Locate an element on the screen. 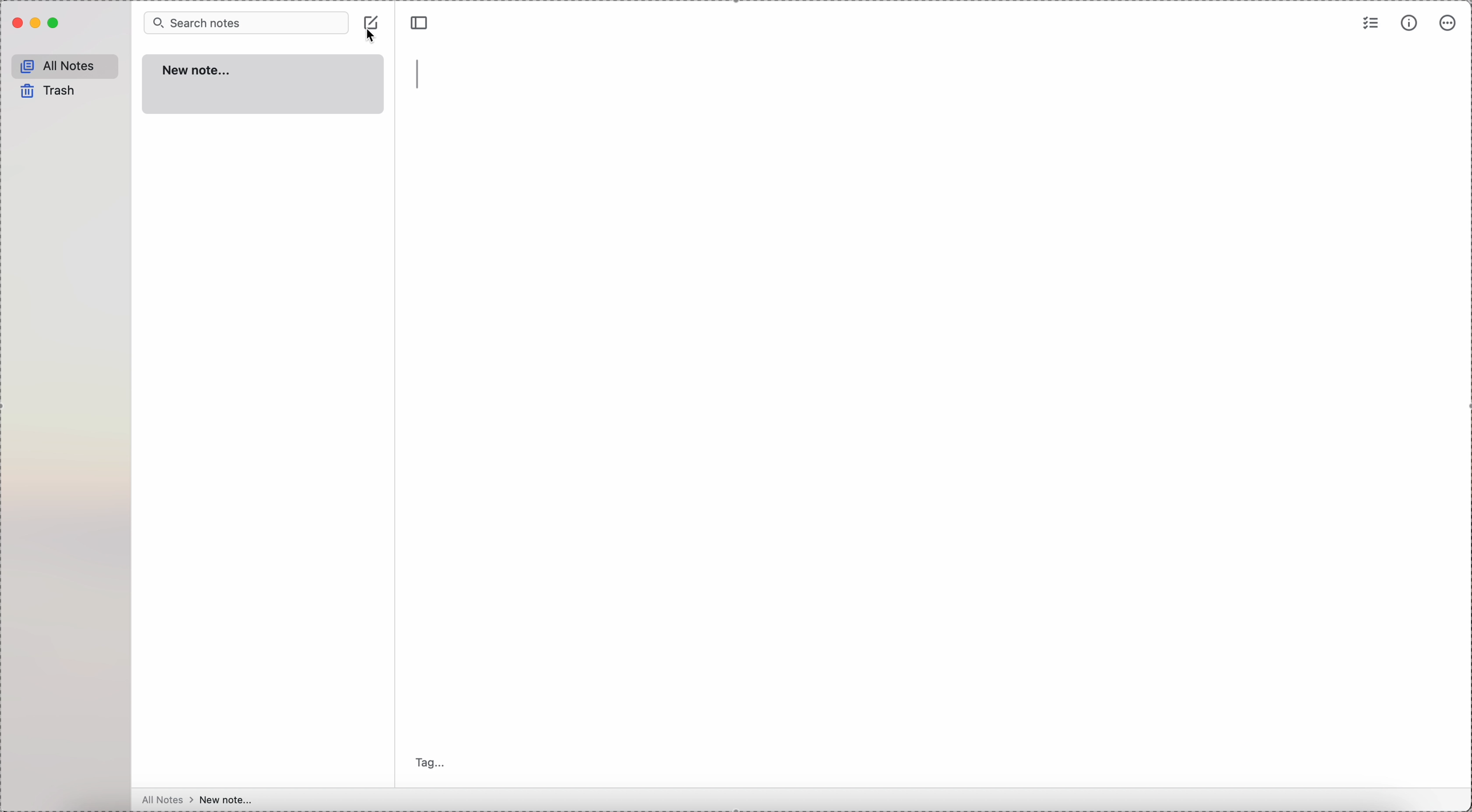 This screenshot has height=812, width=1472. tag is located at coordinates (431, 763).